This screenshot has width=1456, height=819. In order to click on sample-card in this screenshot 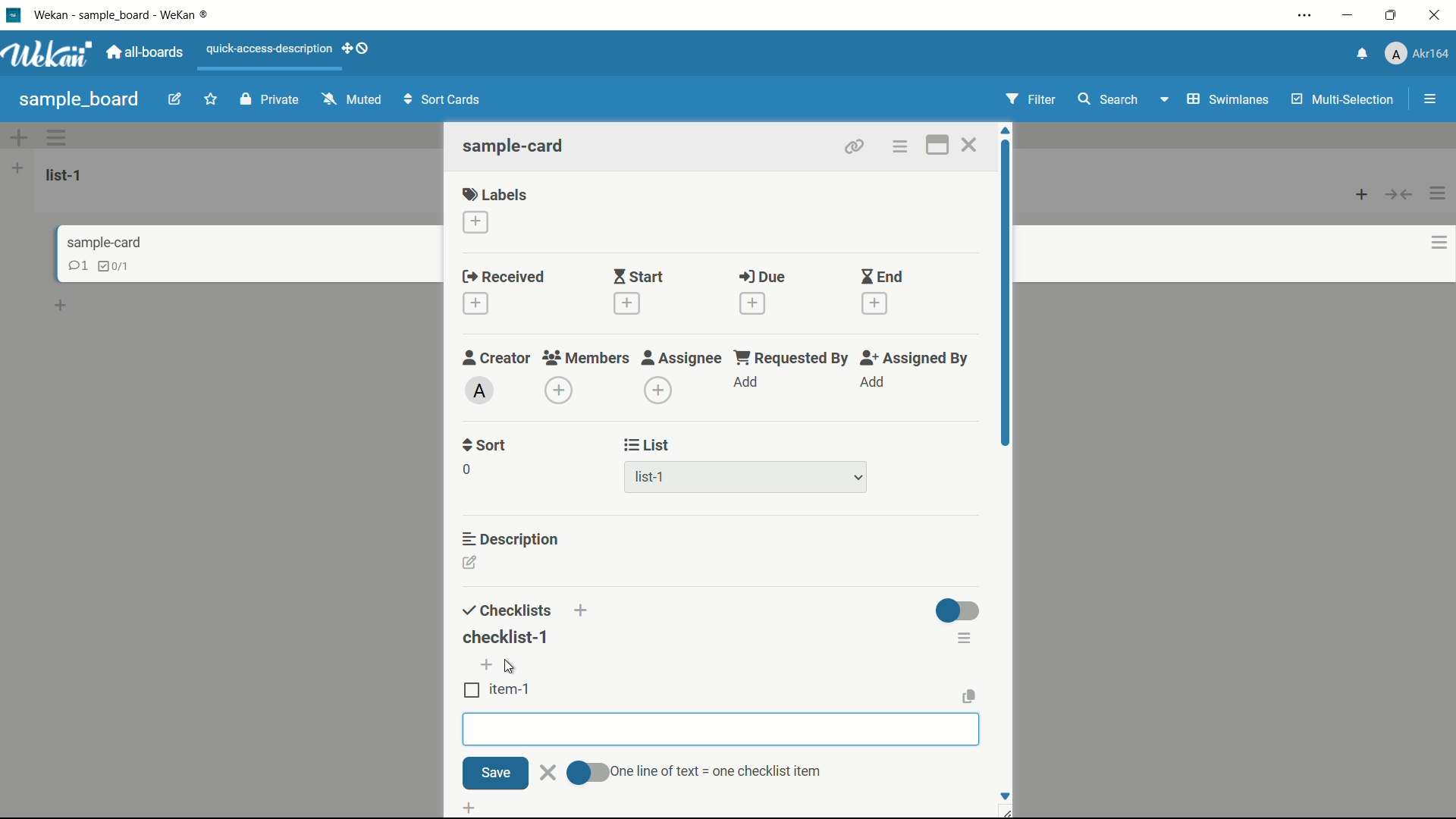, I will do `click(108, 240)`.